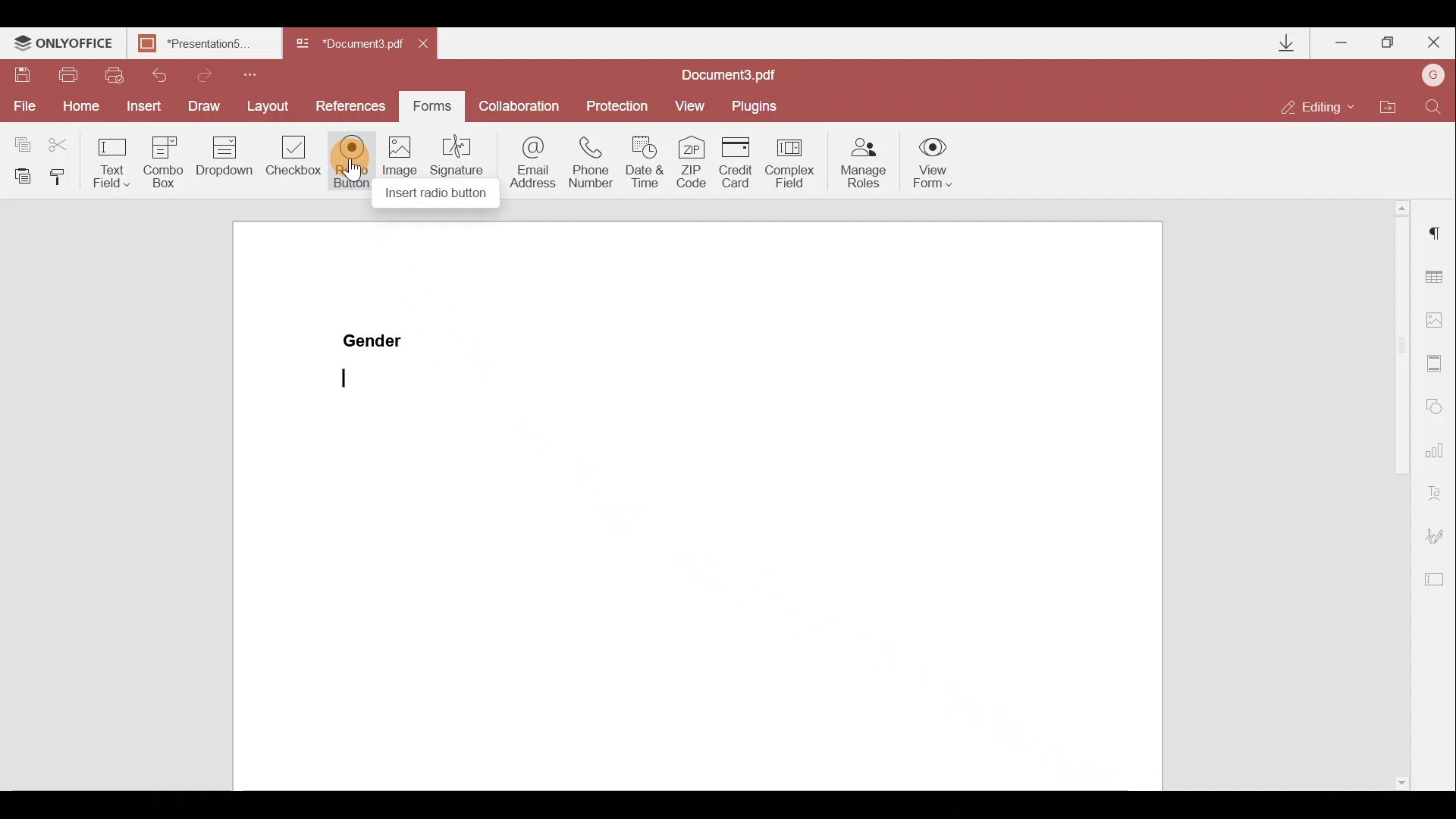  What do you see at coordinates (461, 168) in the screenshot?
I see `Signature field` at bounding box center [461, 168].